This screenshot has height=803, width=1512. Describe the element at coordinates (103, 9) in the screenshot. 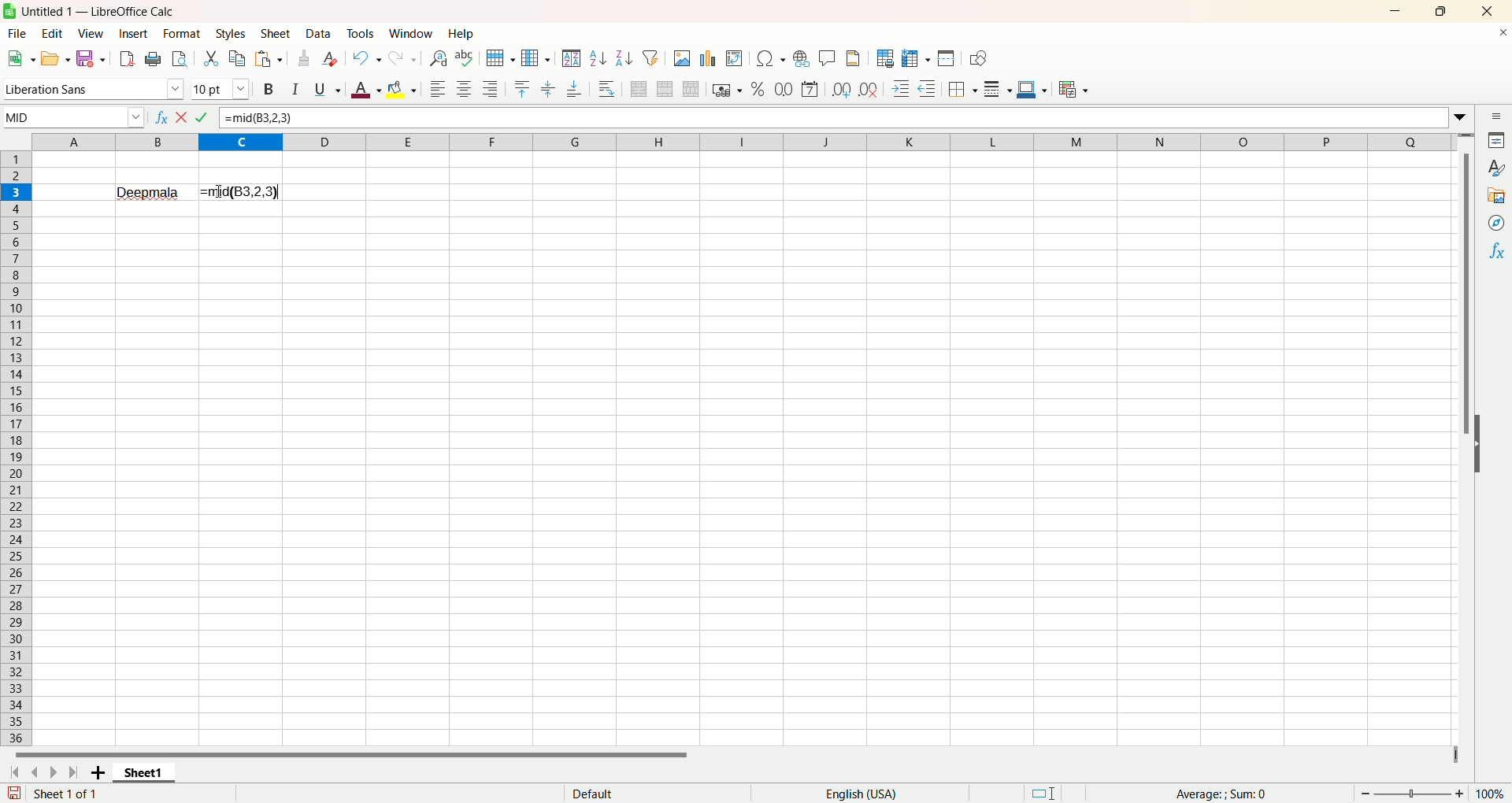

I see `UNTITLED1-LIBREOFFICE CALC` at that location.